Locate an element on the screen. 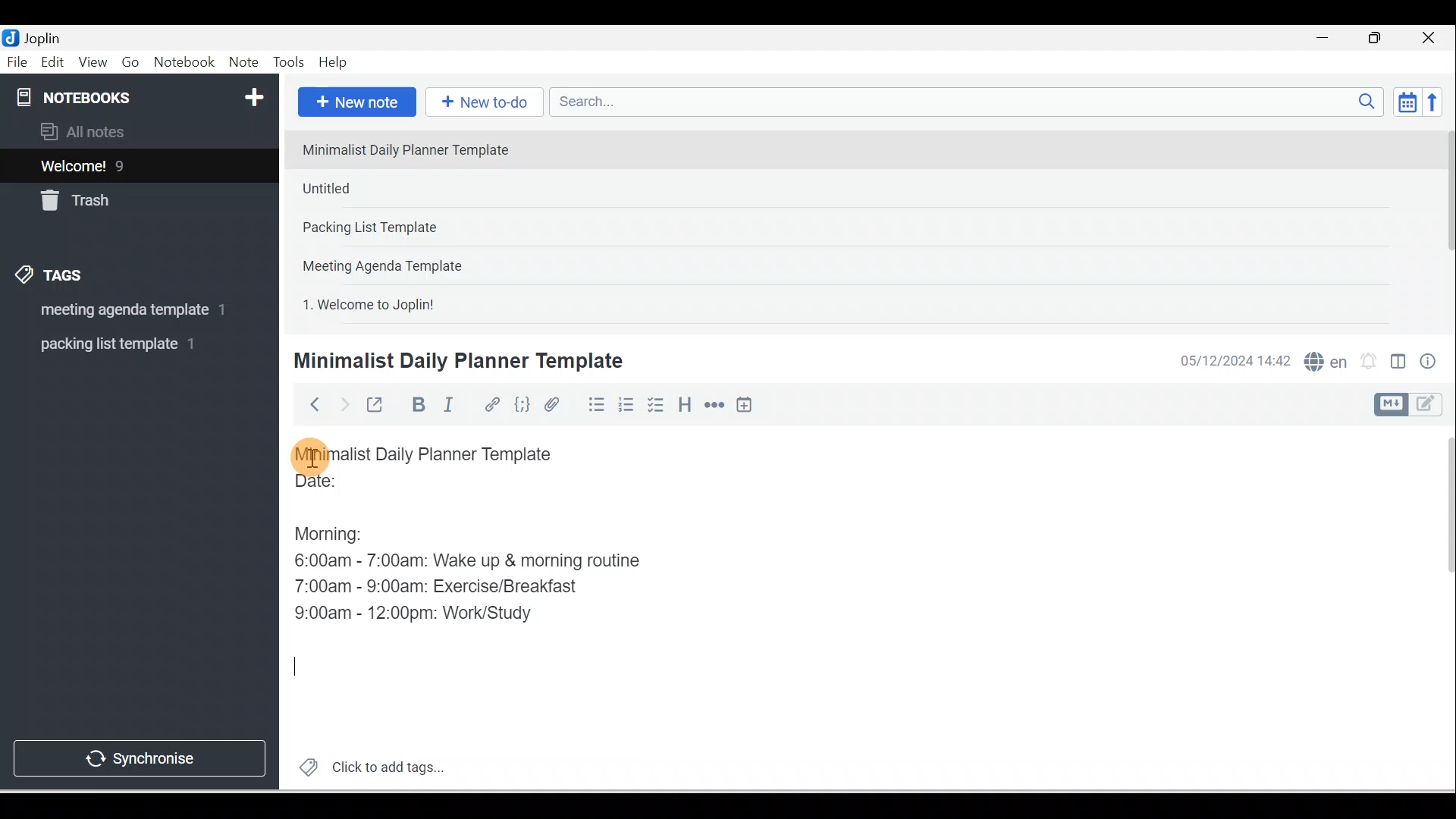 The height and width of the screenshot is (819, 1456). Morning: is located at coordinates (340, 530).